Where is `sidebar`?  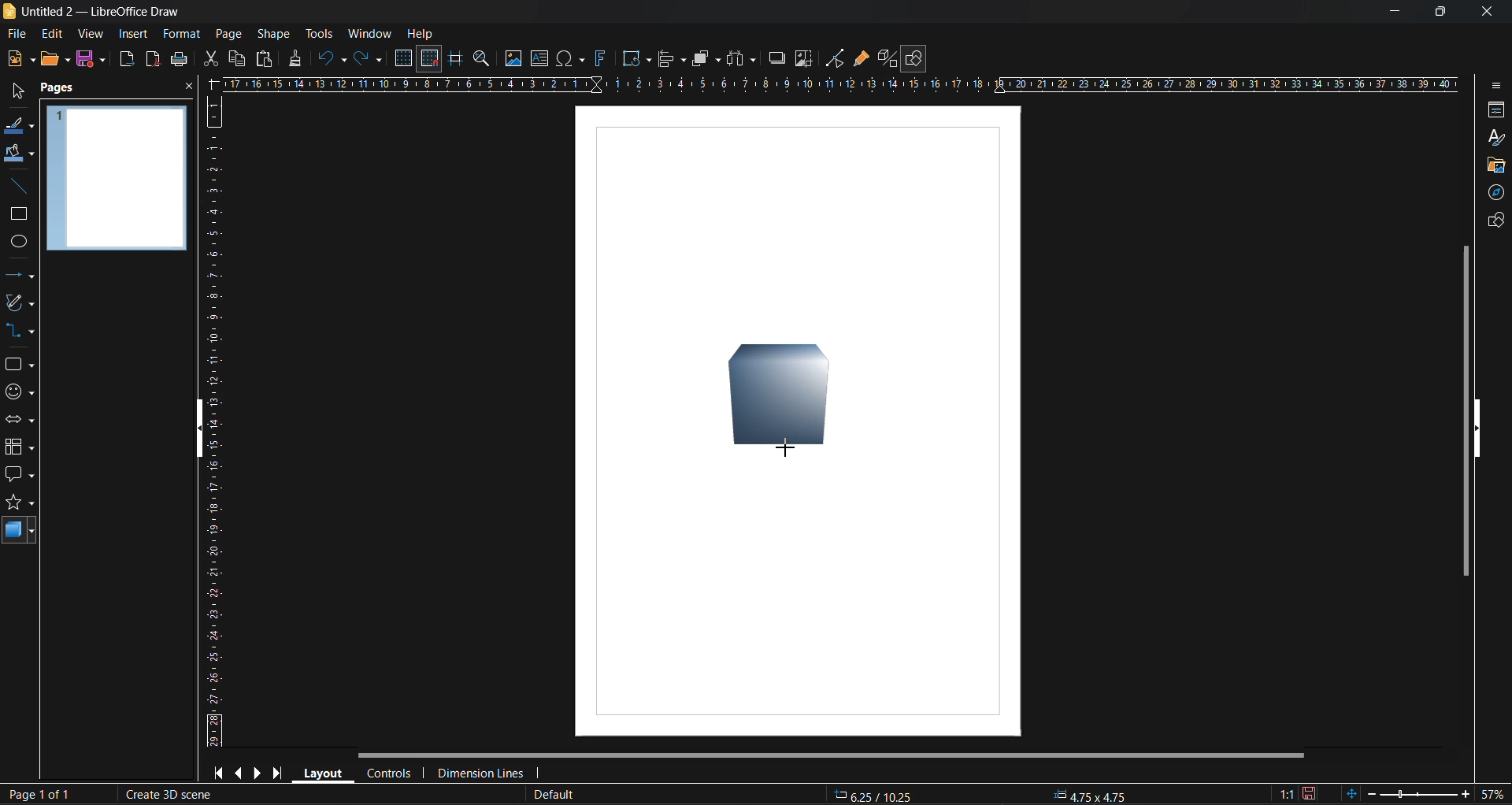
sidebar is located at coordinates (1494, 83).